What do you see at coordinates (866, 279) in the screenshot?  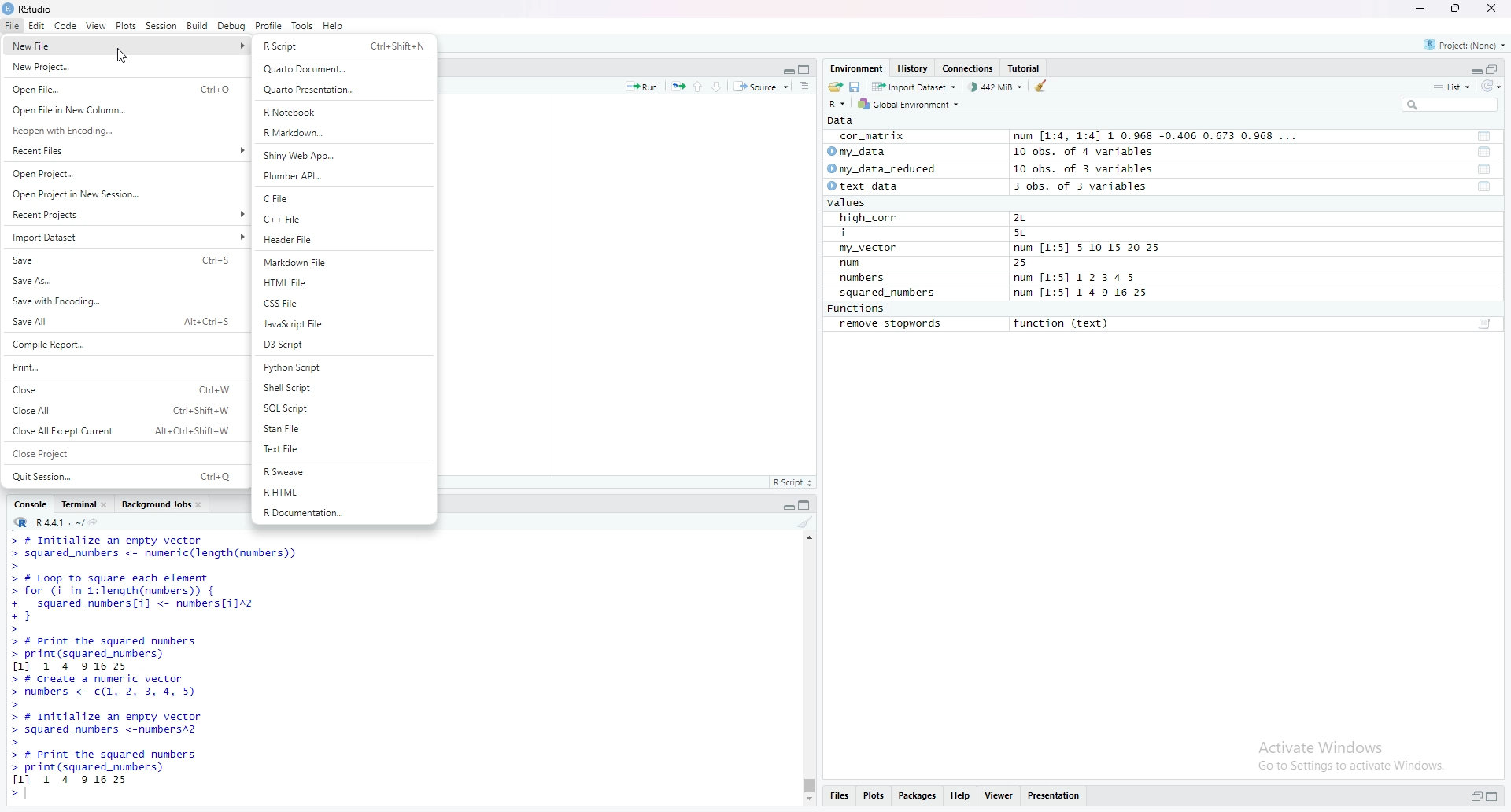 I see `numbers` at bounding box center [866, 279].